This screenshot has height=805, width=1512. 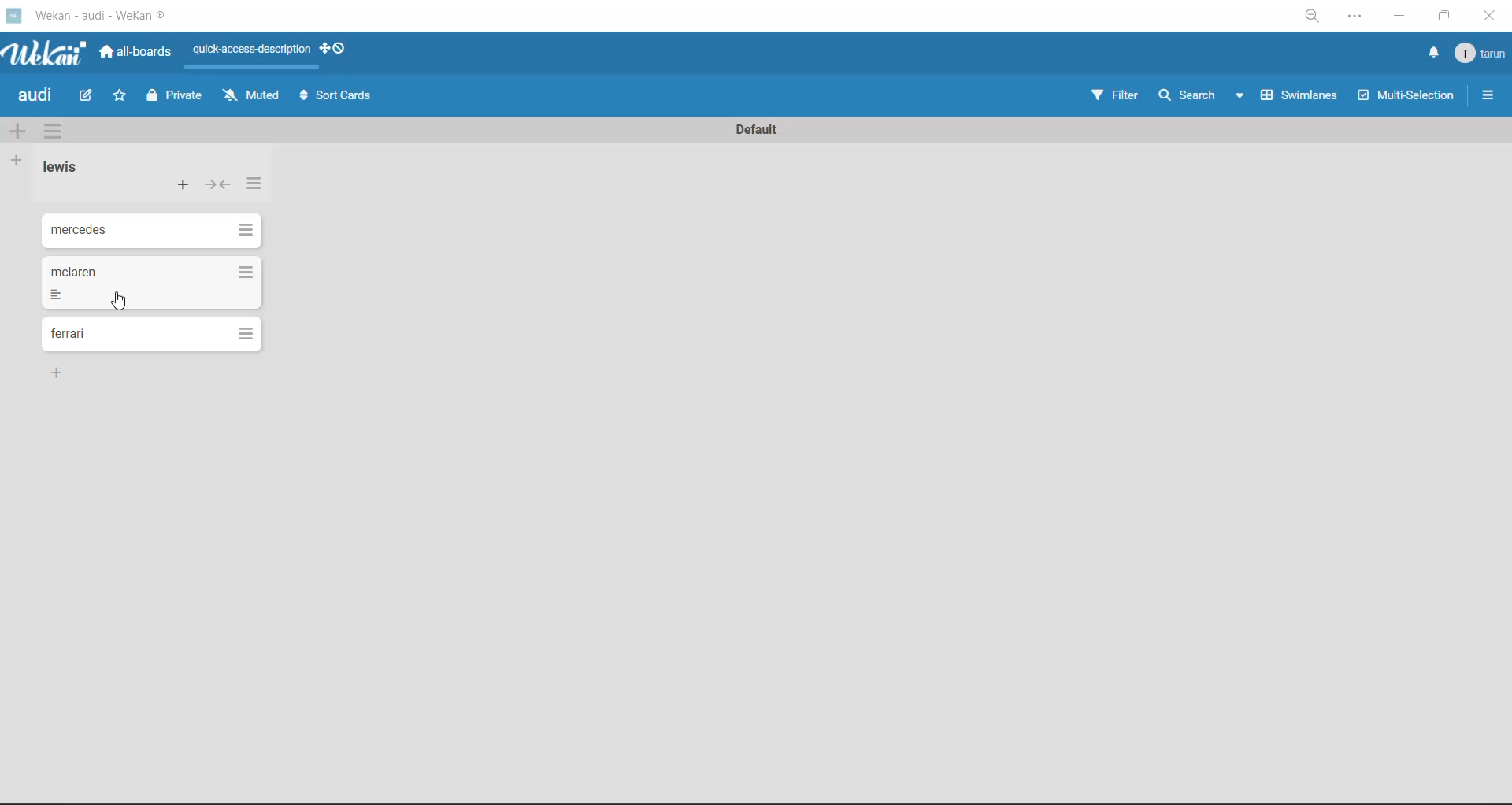 I want to click on add card, so click(x=184, y=187).